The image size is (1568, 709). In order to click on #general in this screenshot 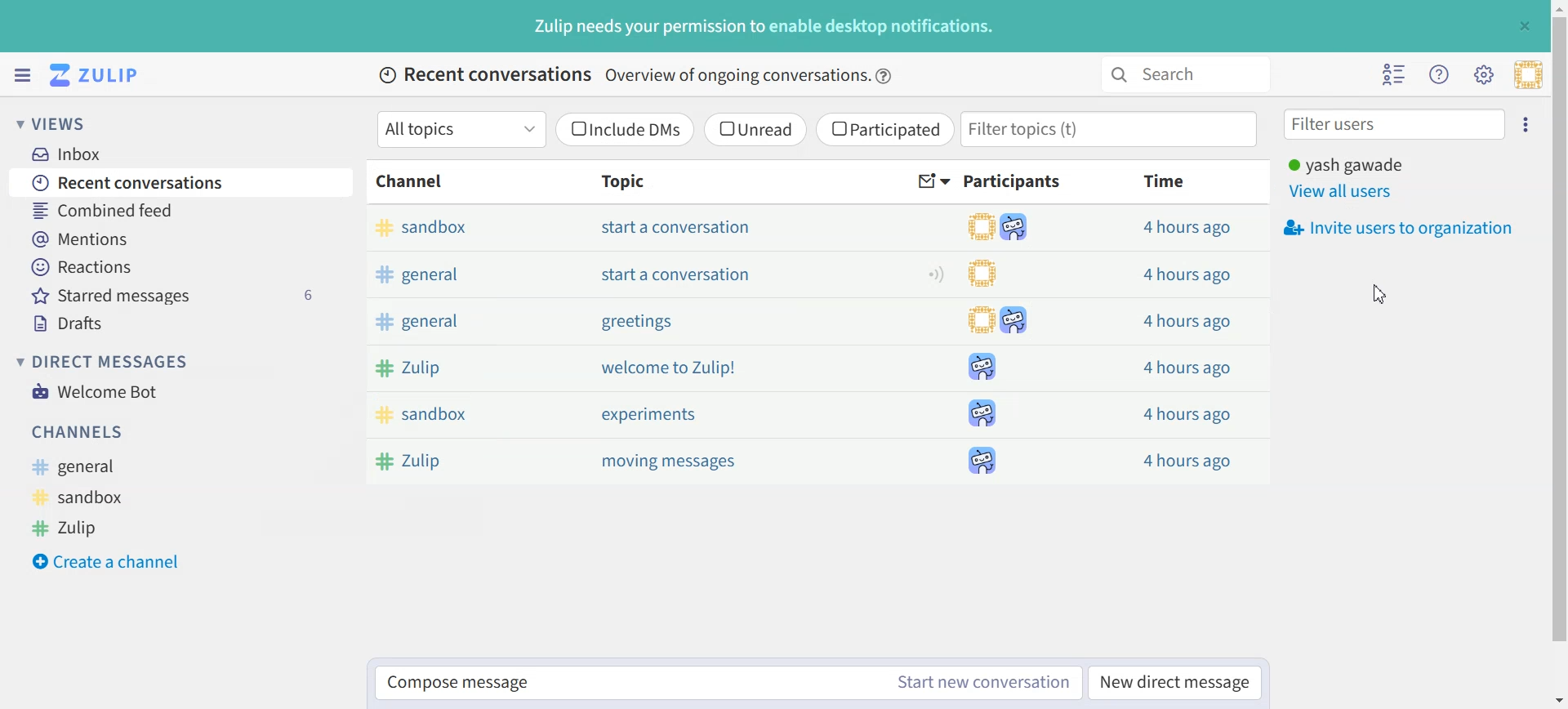, I will do `click(82, 467)`.